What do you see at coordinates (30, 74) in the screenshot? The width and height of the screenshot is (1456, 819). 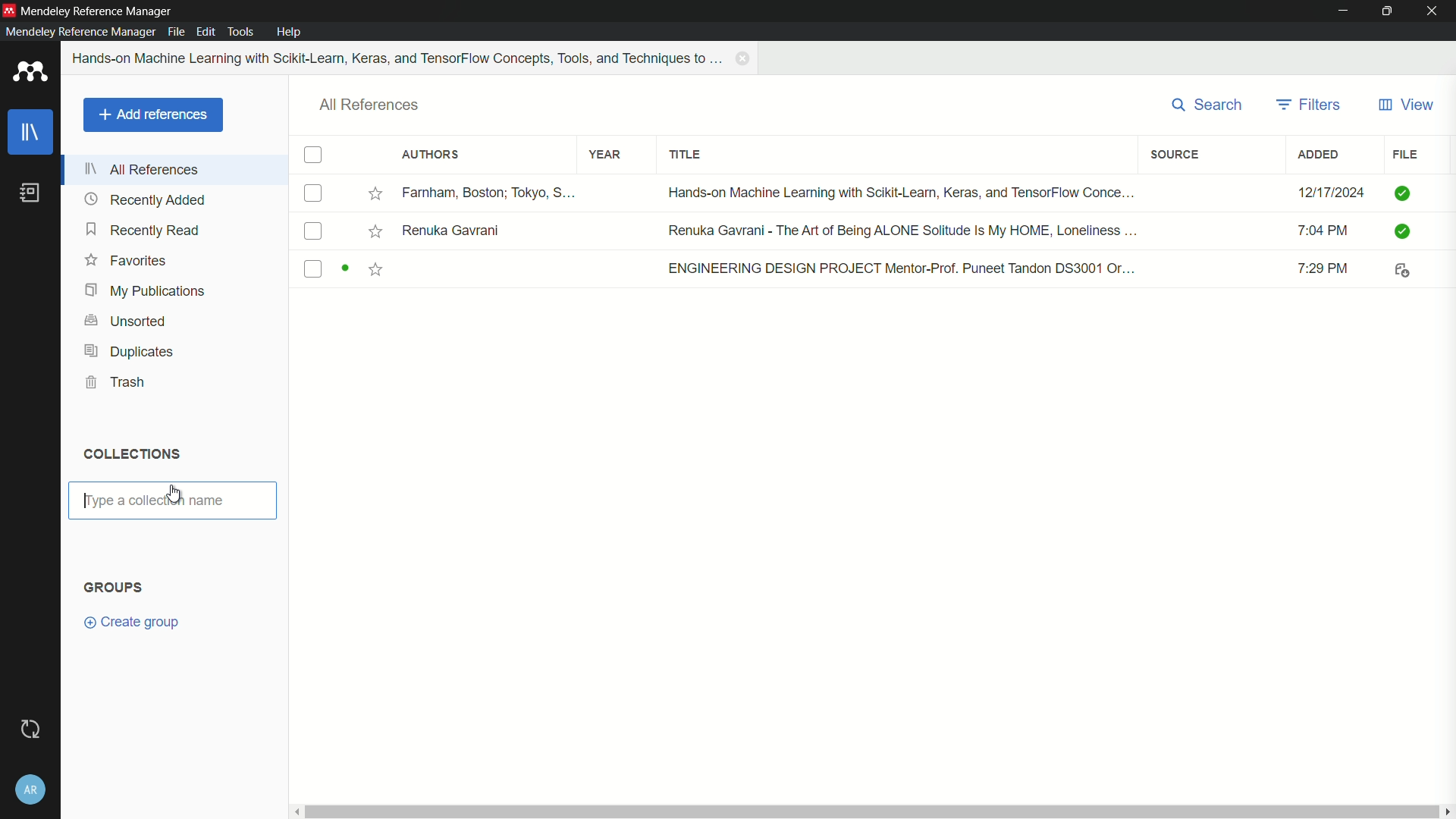 I see `app icon` at bounding box center [30, 74].